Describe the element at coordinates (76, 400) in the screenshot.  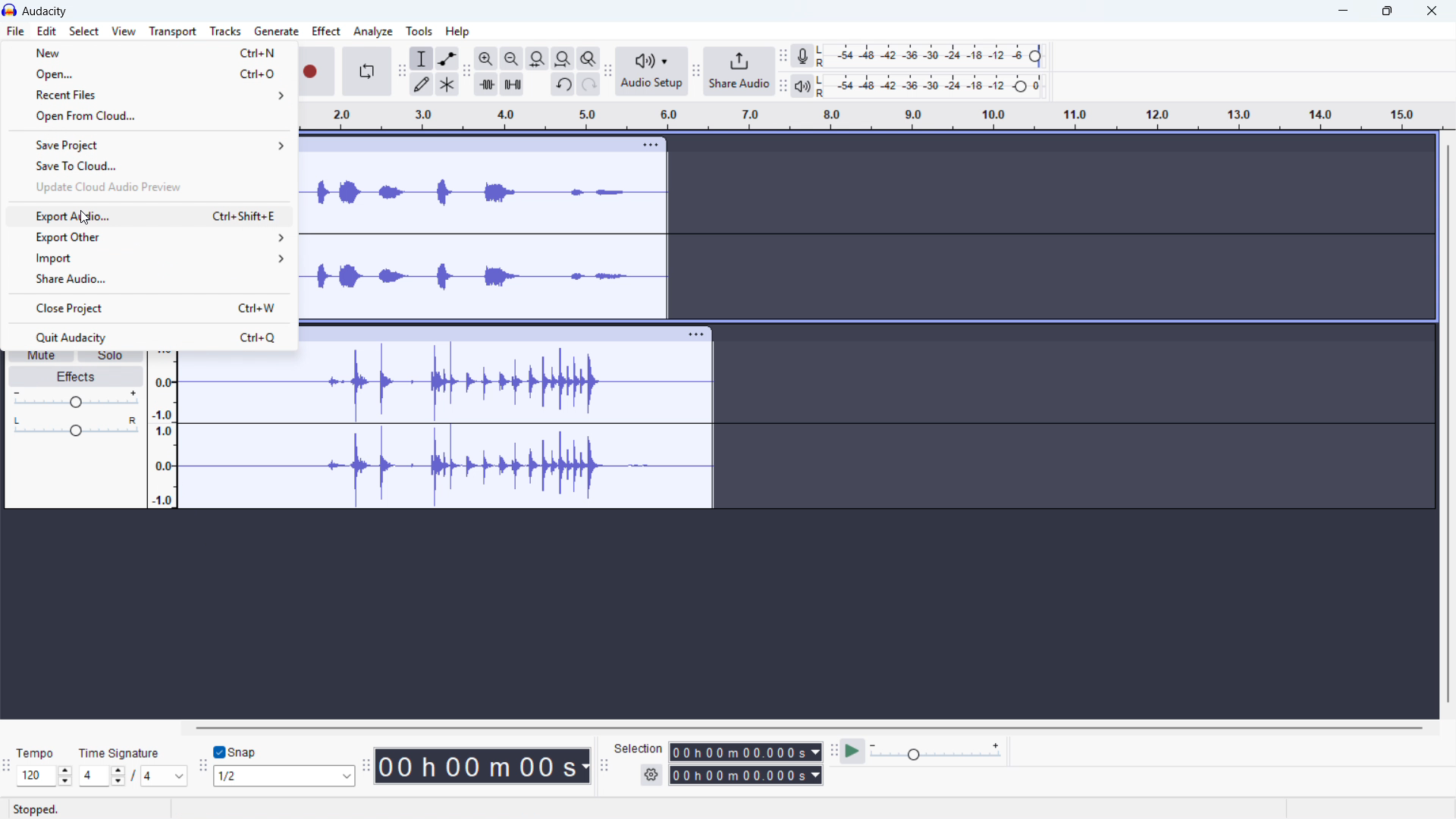
I see `gain ` at that location.